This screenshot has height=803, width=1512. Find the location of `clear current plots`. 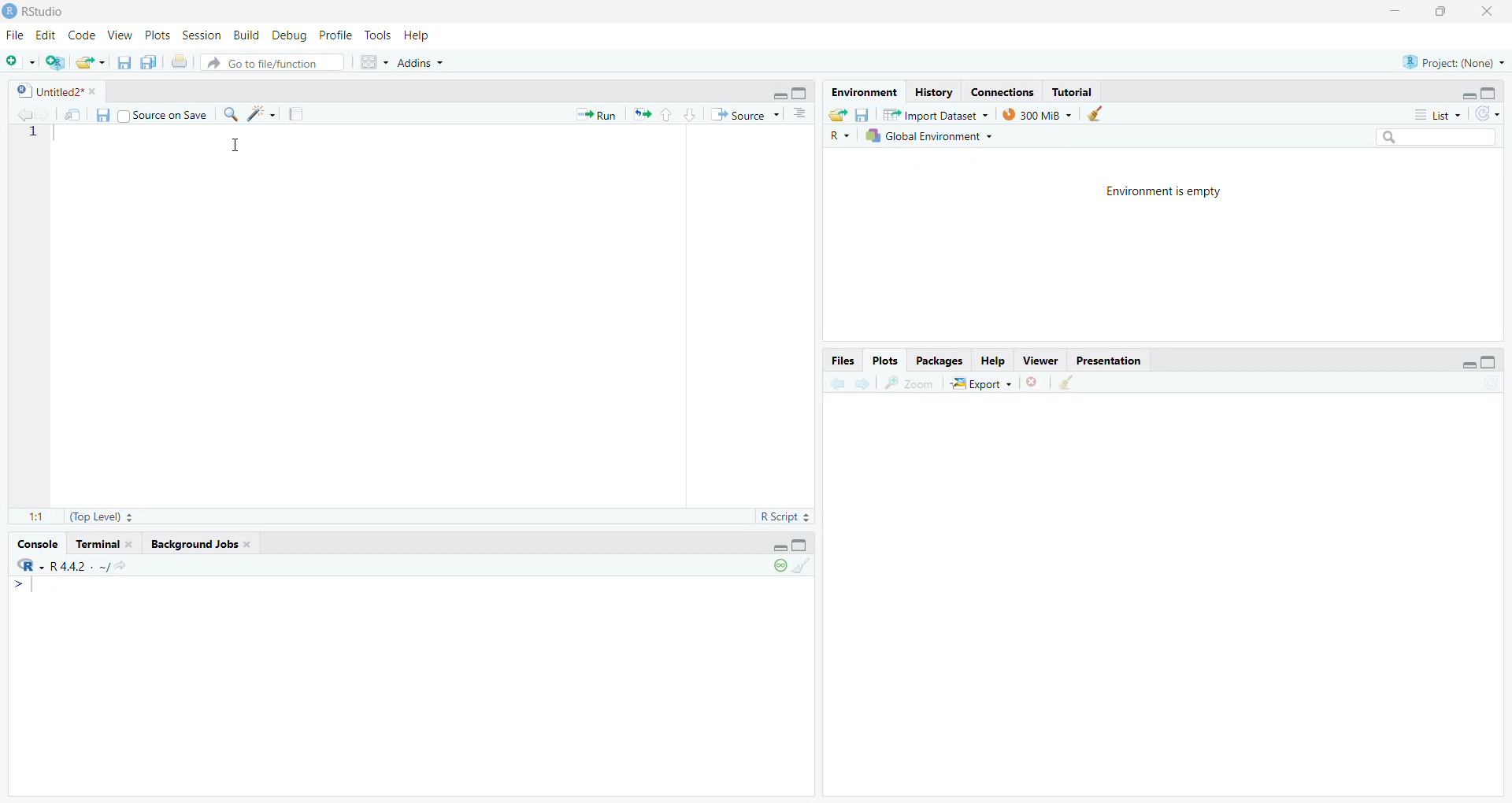

clear current plots is located at coordinates (1032, 383).